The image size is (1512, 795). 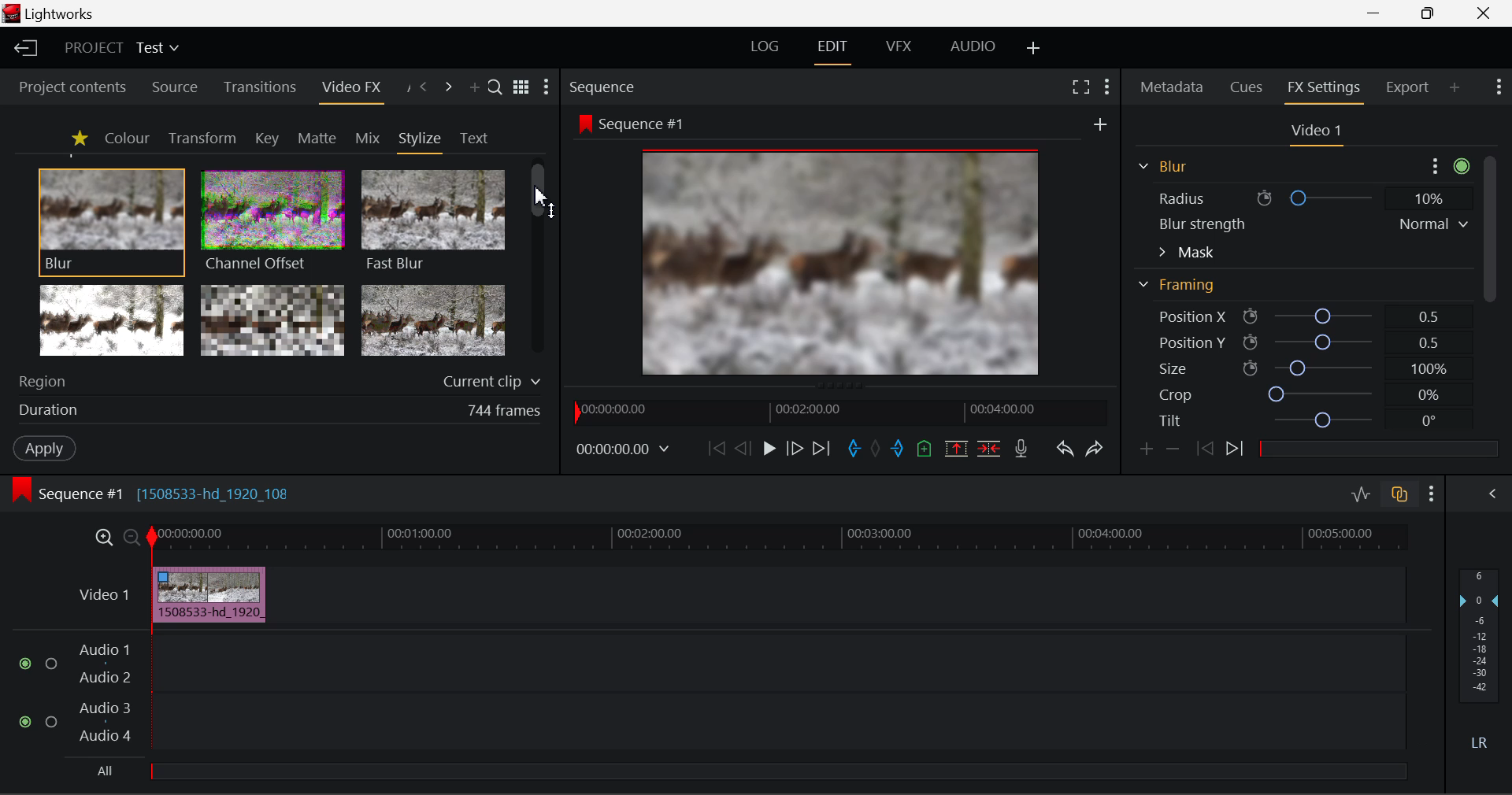 I want to click on Scroll Bar, so click(x=540, y=262).